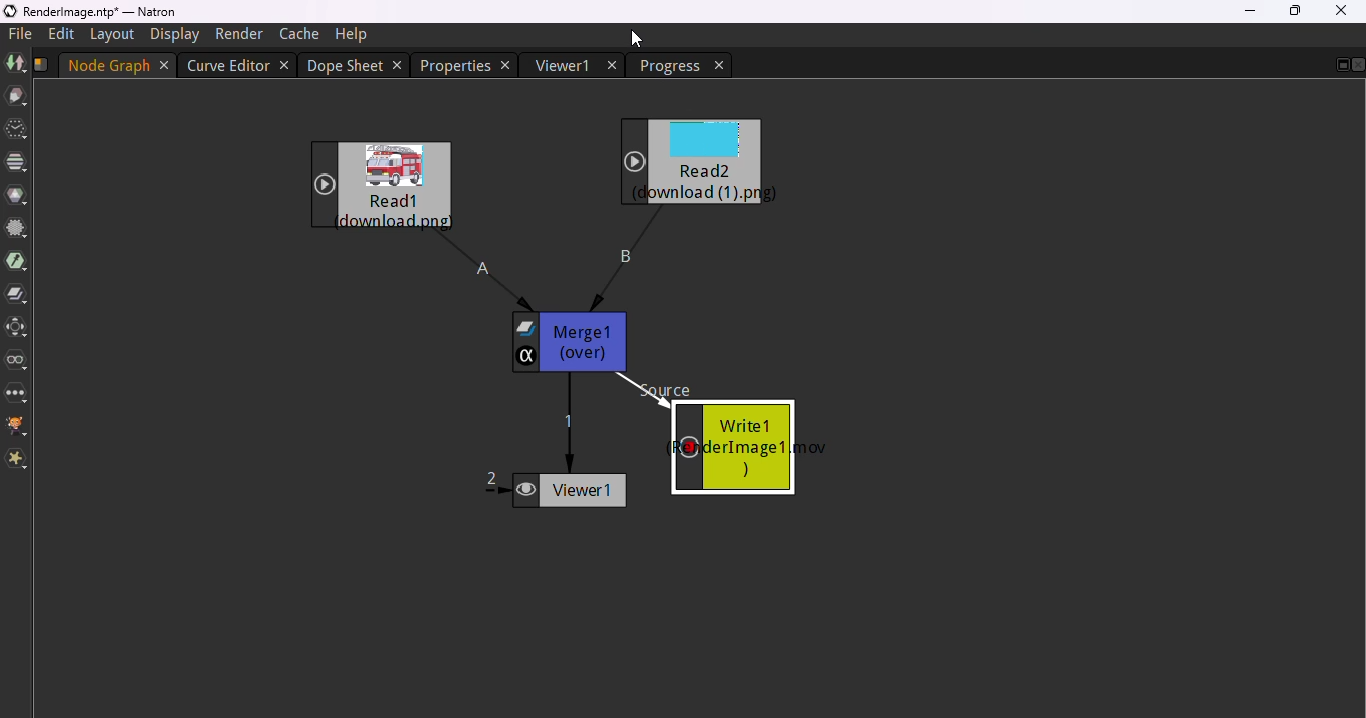  Describe the element at coordinates (9, 11) in the screenshot. I see `logo` at that location.